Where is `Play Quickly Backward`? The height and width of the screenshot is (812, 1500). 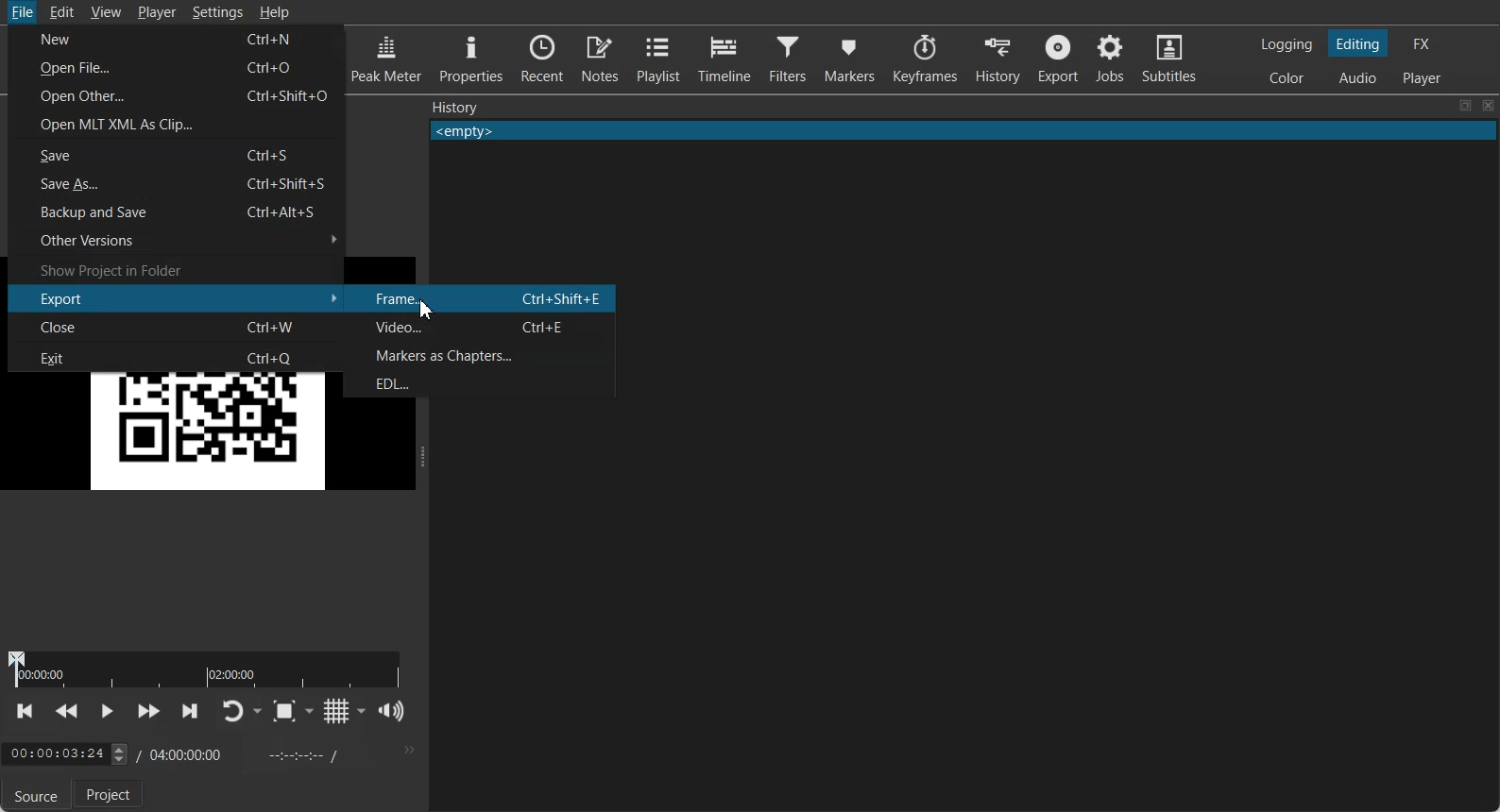 Play Quickly Backward is located at coordinates (67, 712).